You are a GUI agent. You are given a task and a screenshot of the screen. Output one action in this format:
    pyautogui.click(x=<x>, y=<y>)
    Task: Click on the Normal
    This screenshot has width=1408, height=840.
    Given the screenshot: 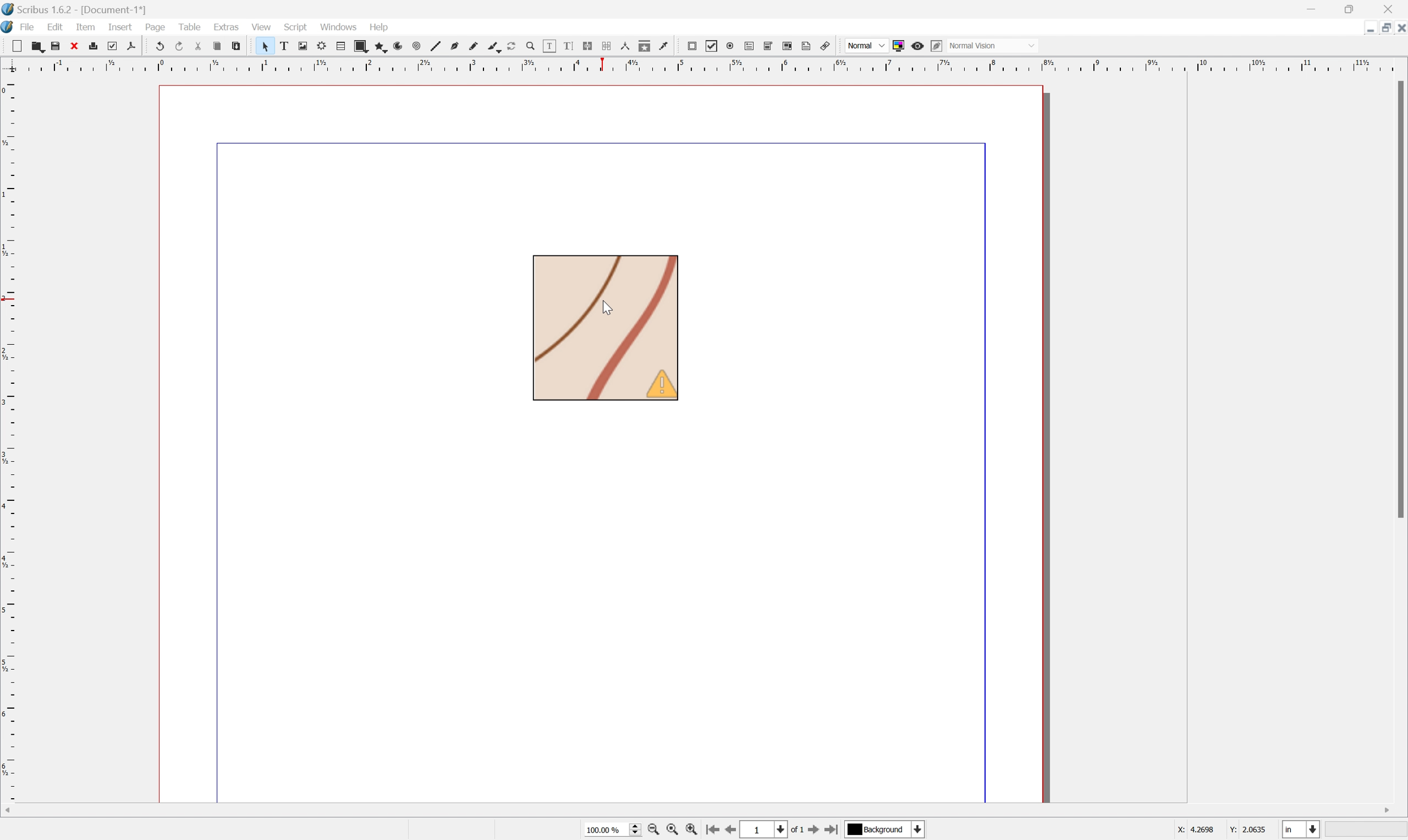 What is the action you would take?
    pyautogui.click(x=865, y=46)
    